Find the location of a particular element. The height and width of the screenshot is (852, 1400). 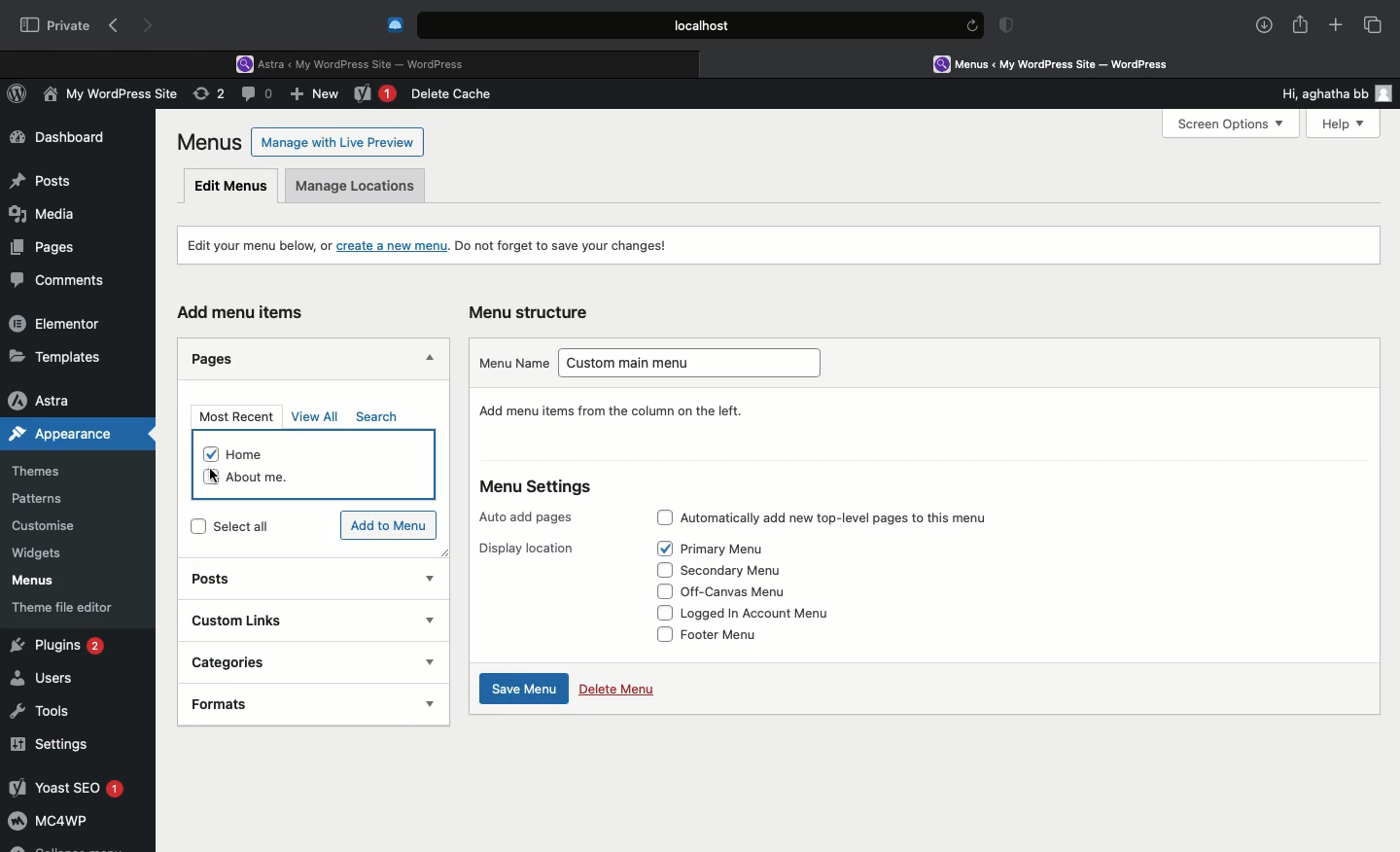

Cold turkey is located at coordinates (396, 25).